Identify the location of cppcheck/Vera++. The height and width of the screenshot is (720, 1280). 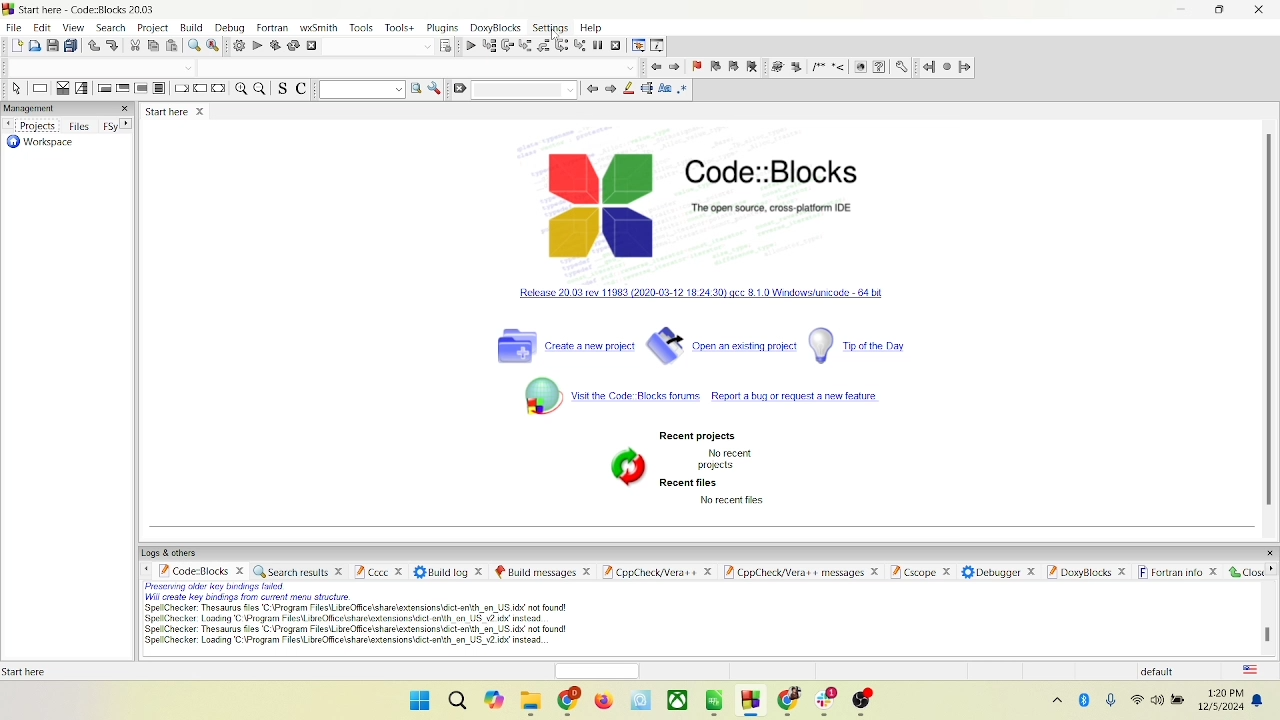
(656, 573).